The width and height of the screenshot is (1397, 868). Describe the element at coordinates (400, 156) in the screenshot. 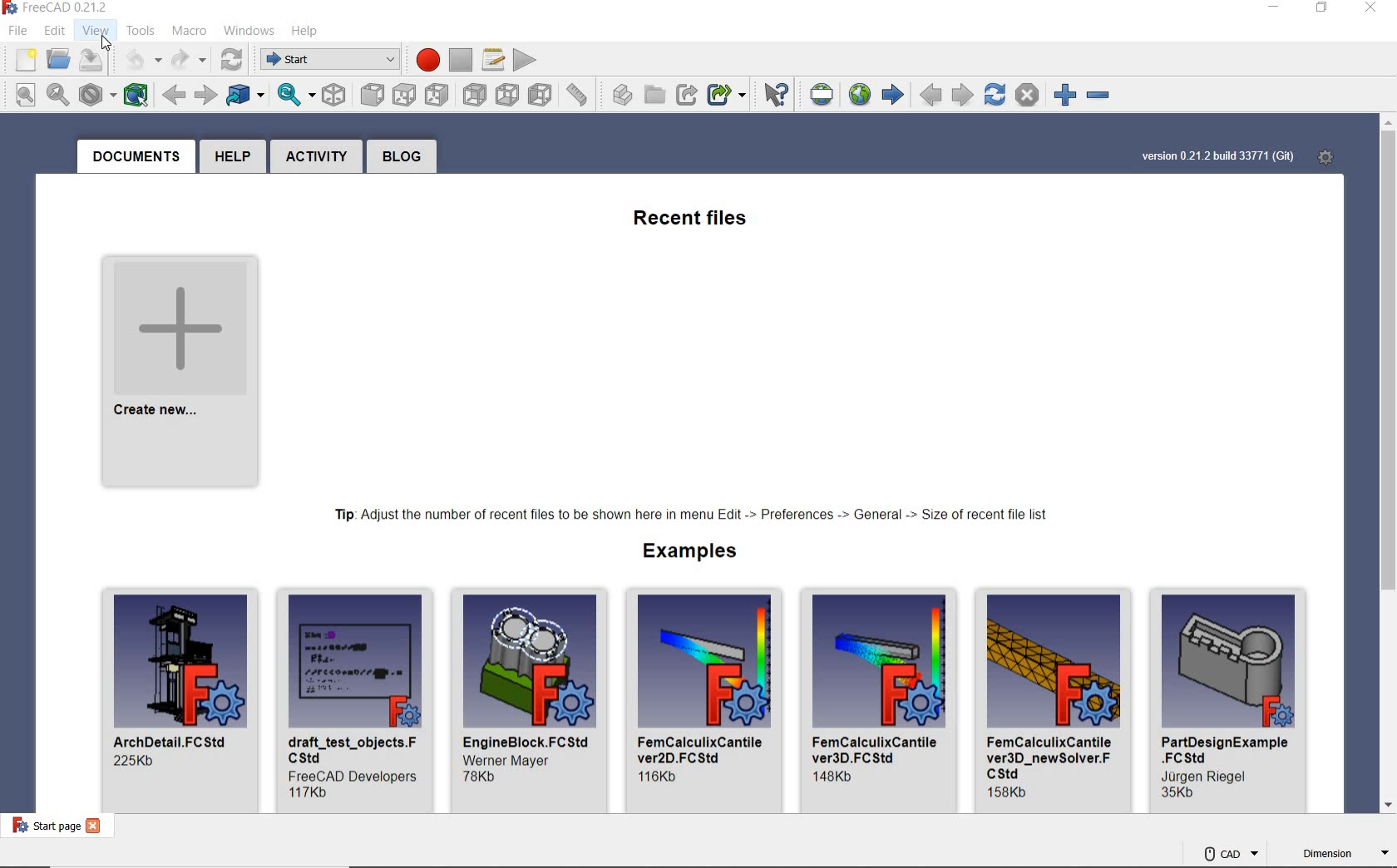

I see `blog` at that location.